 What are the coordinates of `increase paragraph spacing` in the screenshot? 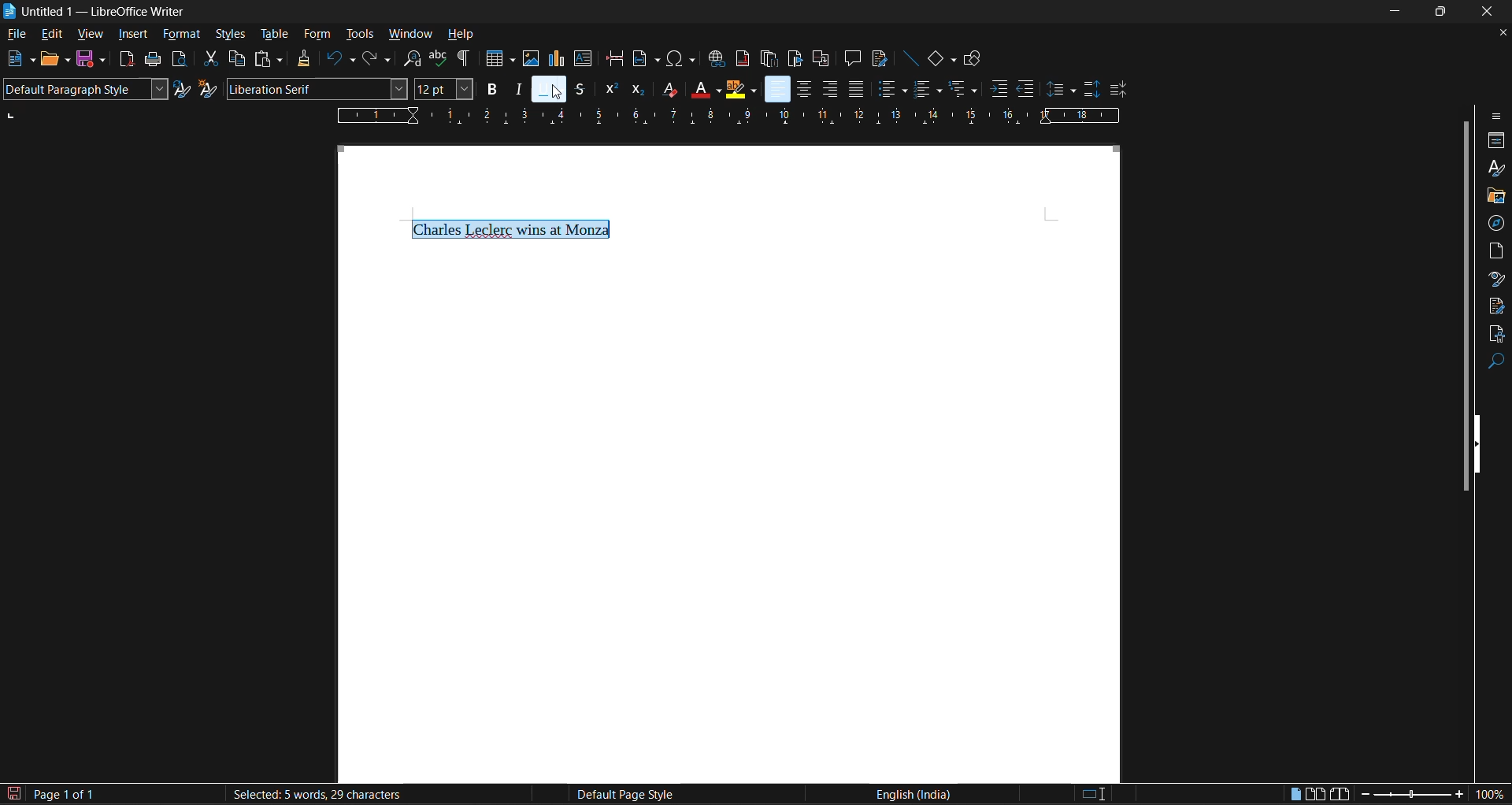 It's located at (1089, 90).